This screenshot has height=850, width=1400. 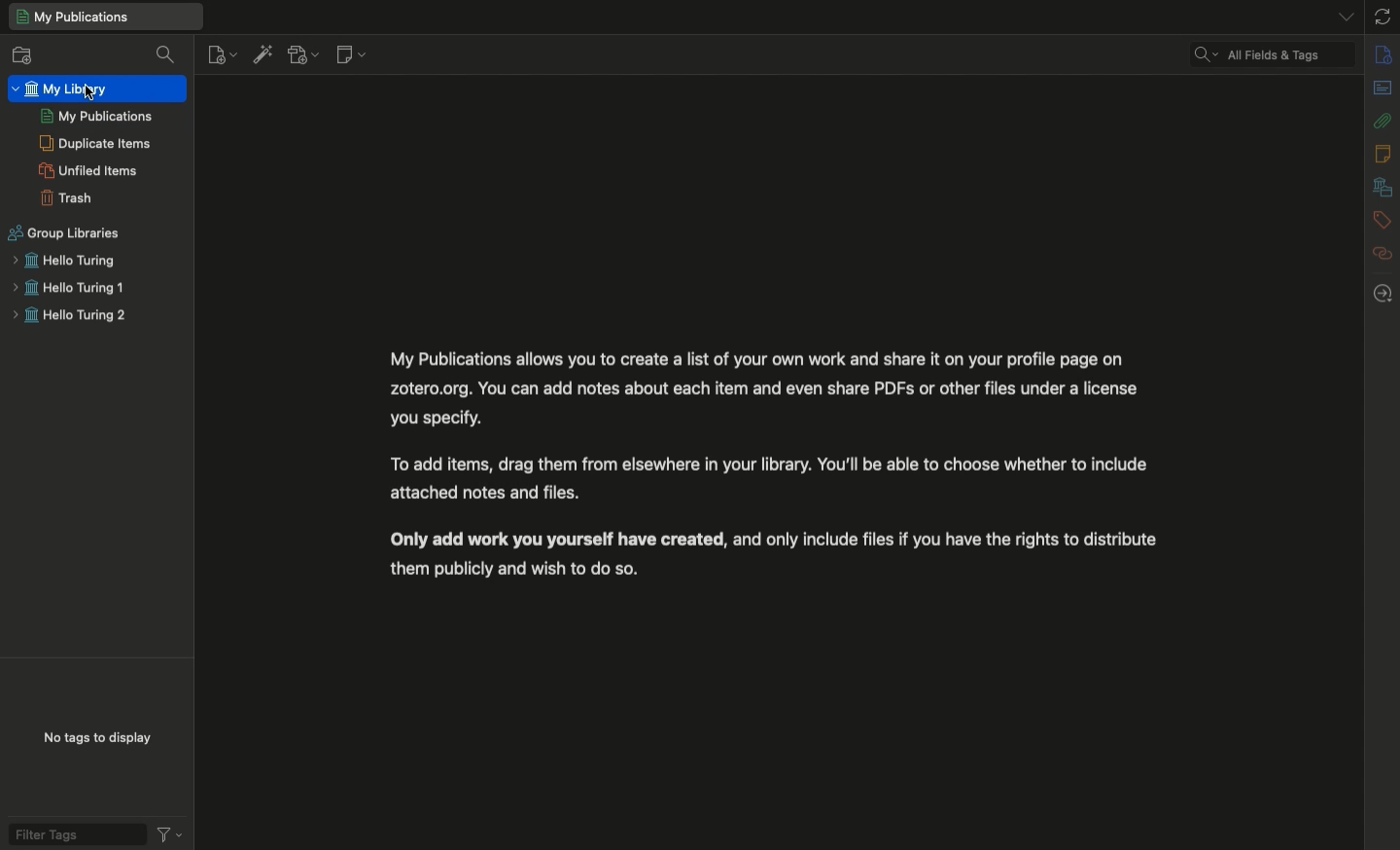 I want to click on Duplicate items, so click(x=93, y=144).